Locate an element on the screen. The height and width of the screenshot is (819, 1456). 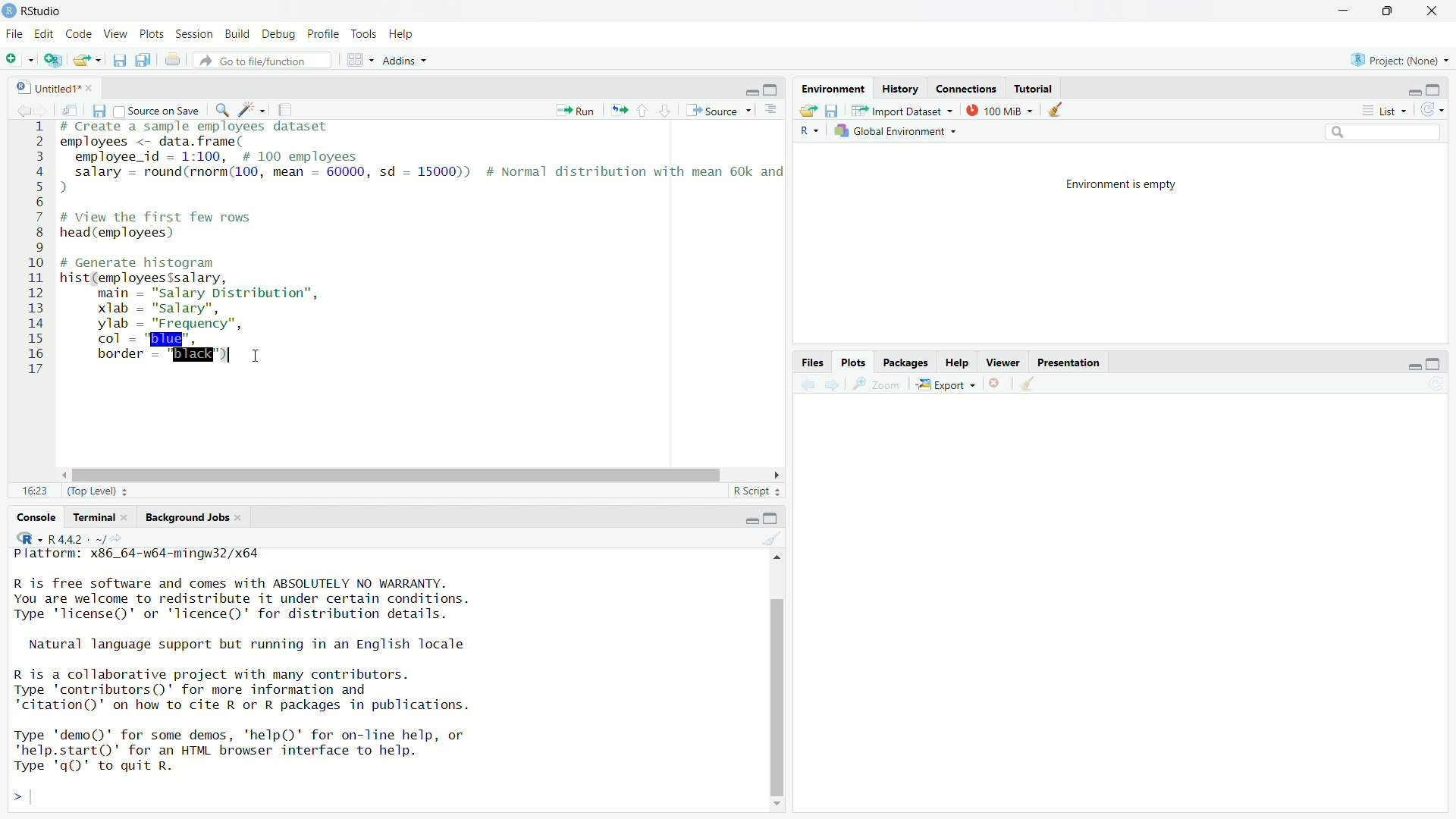
100 MiB is located at coordinates (999, 110).